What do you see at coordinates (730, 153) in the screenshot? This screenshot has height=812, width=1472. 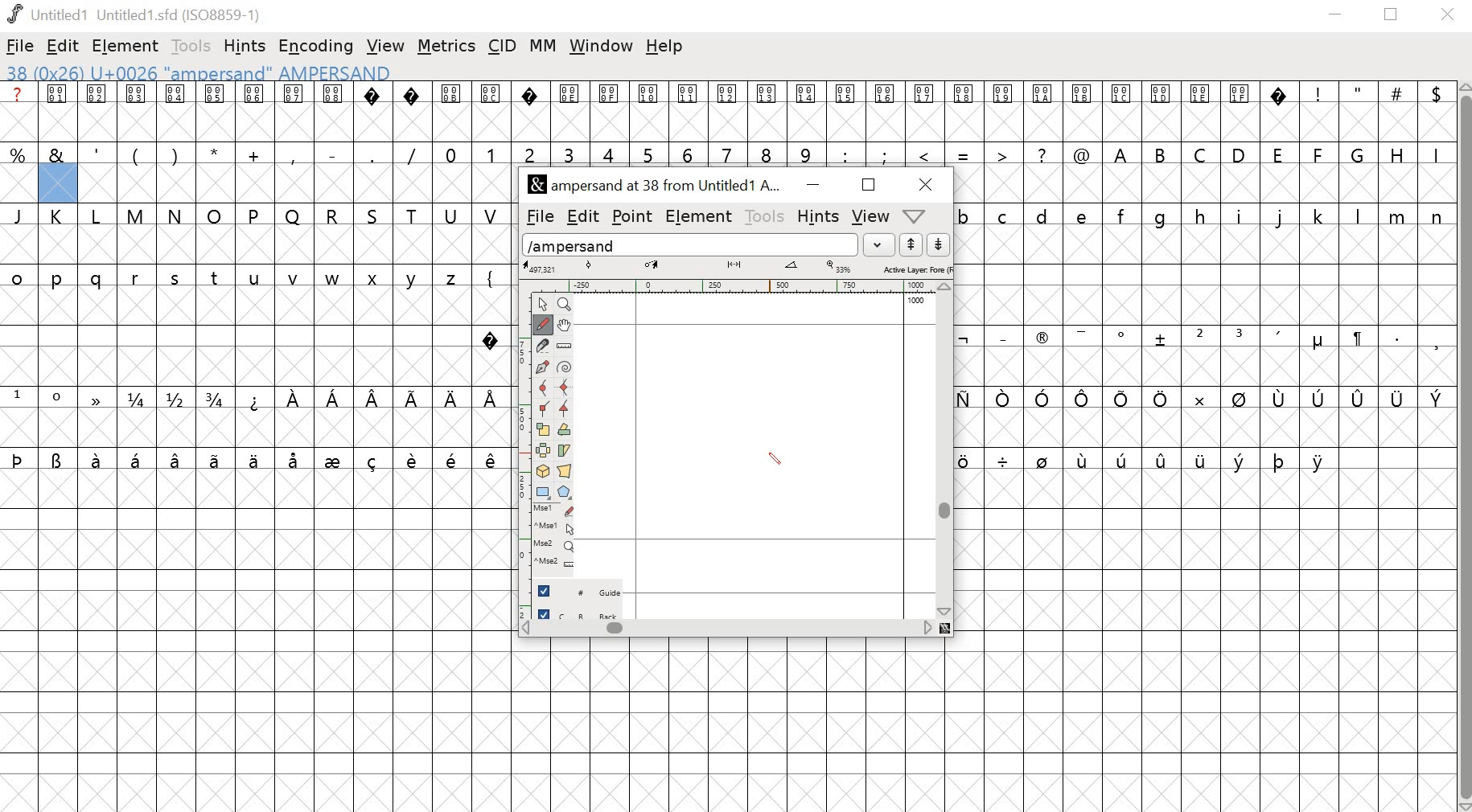 I see `7` at bounding box center [730, 153].